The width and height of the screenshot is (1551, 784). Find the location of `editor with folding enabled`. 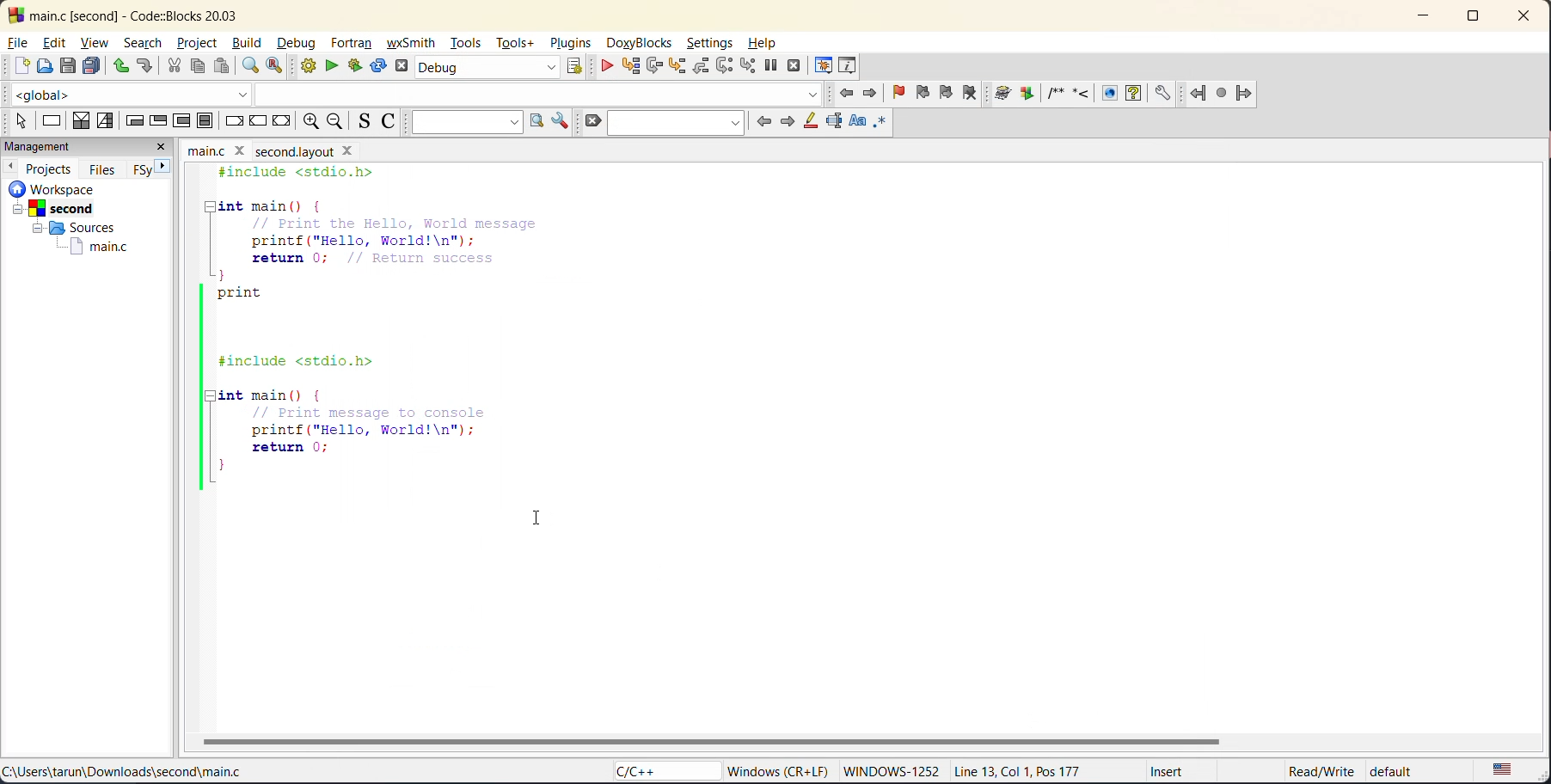

editor with folding enabled is located at coordinates (393, 333).